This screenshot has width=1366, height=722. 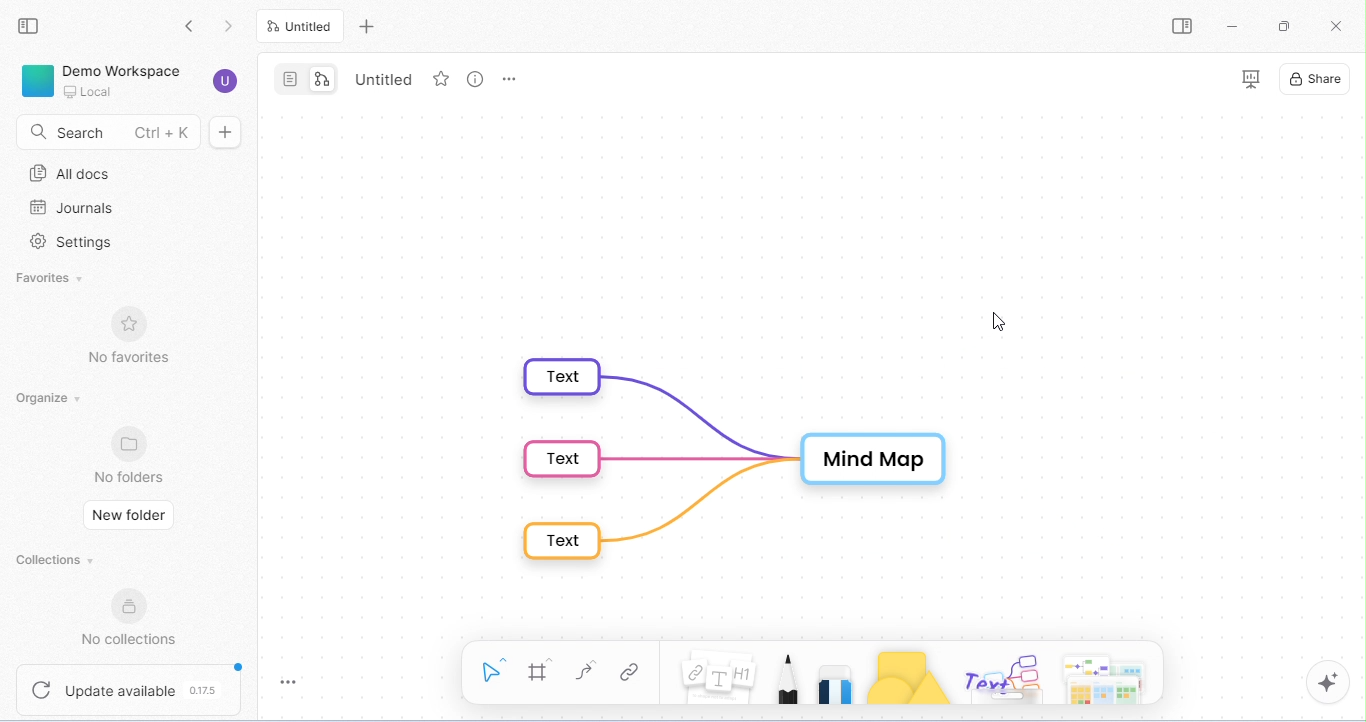 What do you see at coordinates (1282, 26) in the screenshot?
I see `maximize` at bounding box center [1282, 26].